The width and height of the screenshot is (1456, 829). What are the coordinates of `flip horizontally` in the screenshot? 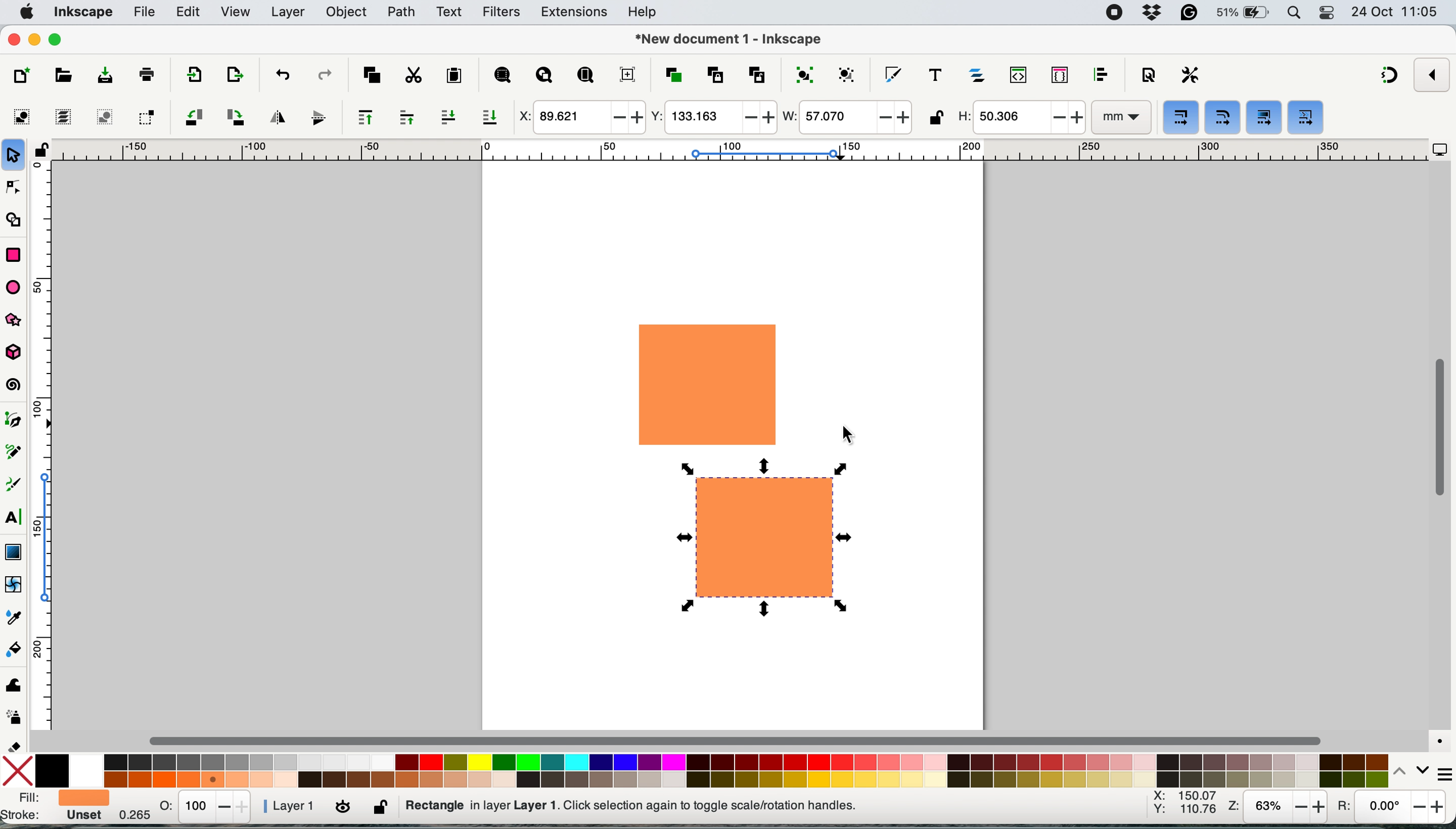 It's located at (275, 116).